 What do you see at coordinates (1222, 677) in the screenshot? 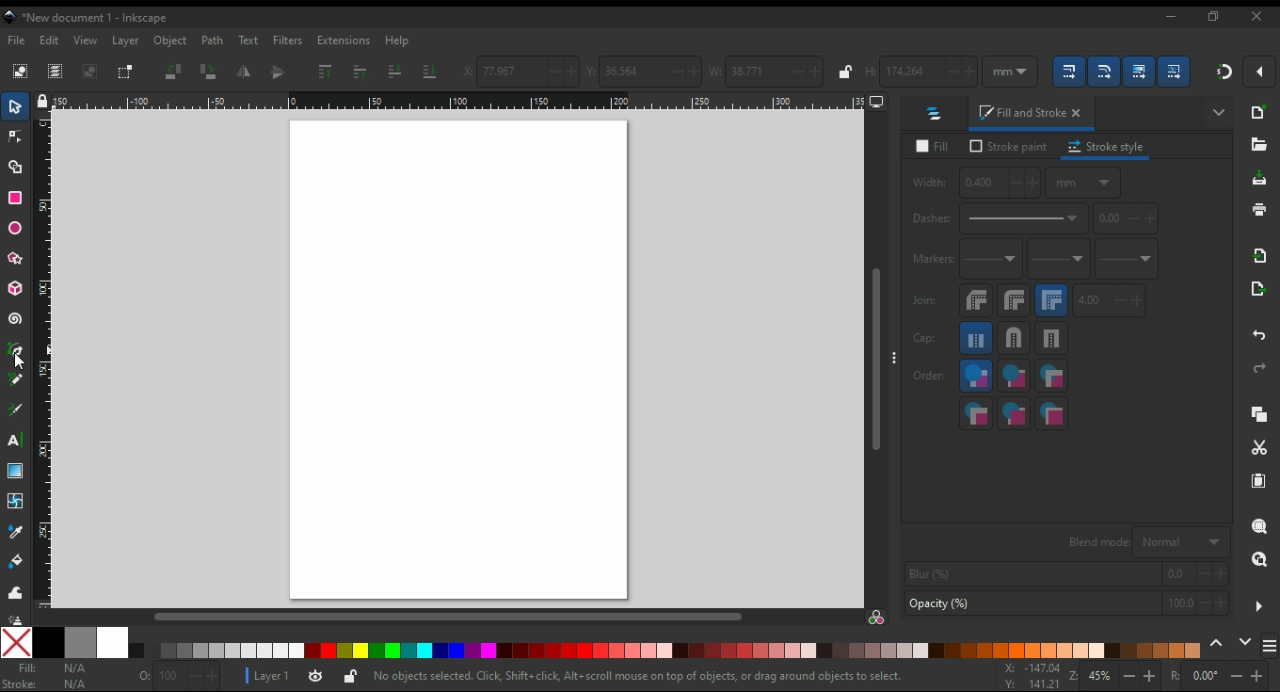
I see `rotation increase/decrease` at bounding box center [1222, 677].